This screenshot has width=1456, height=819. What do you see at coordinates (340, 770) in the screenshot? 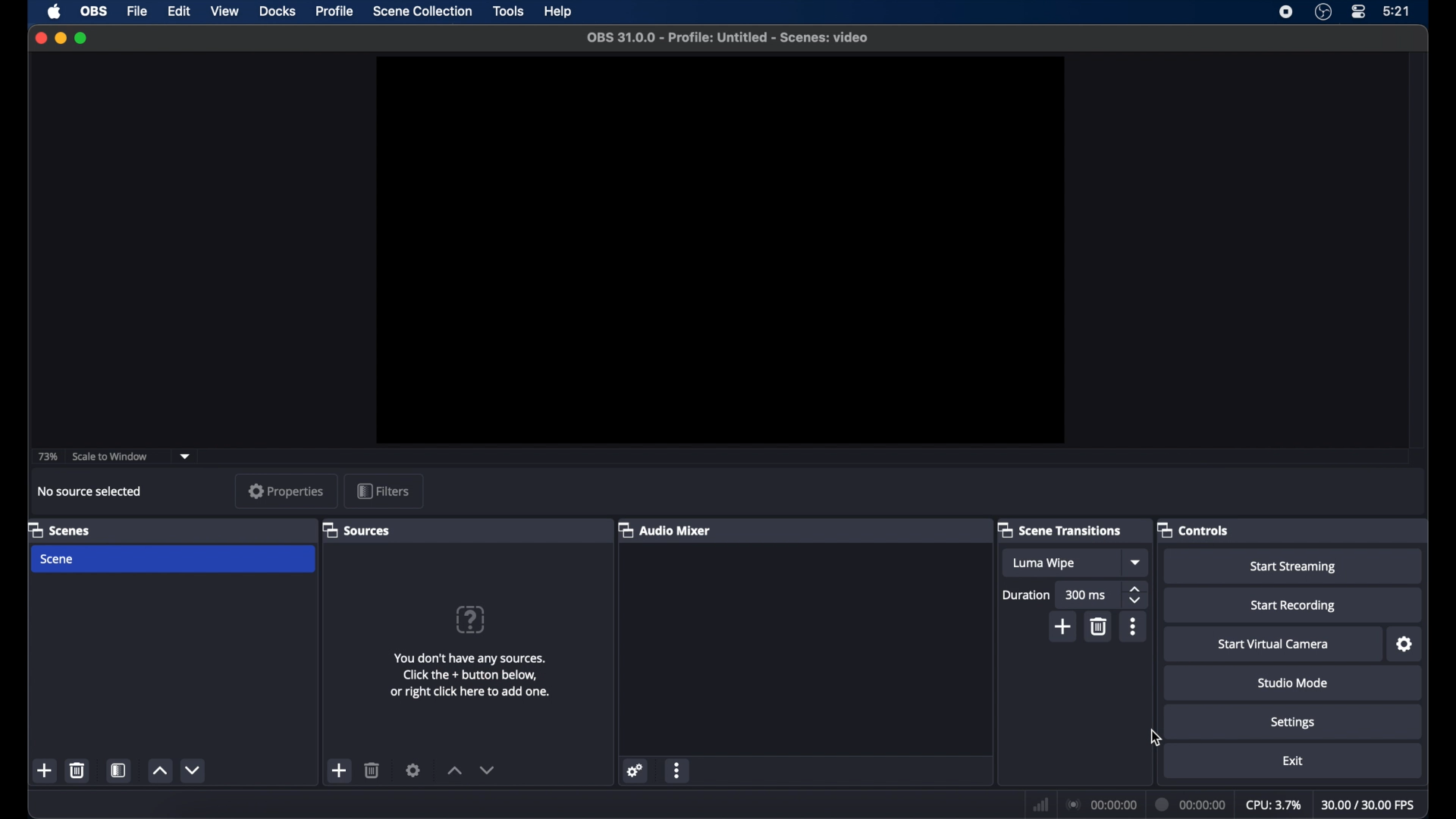
I see `add` at bounding box center [340, 770].